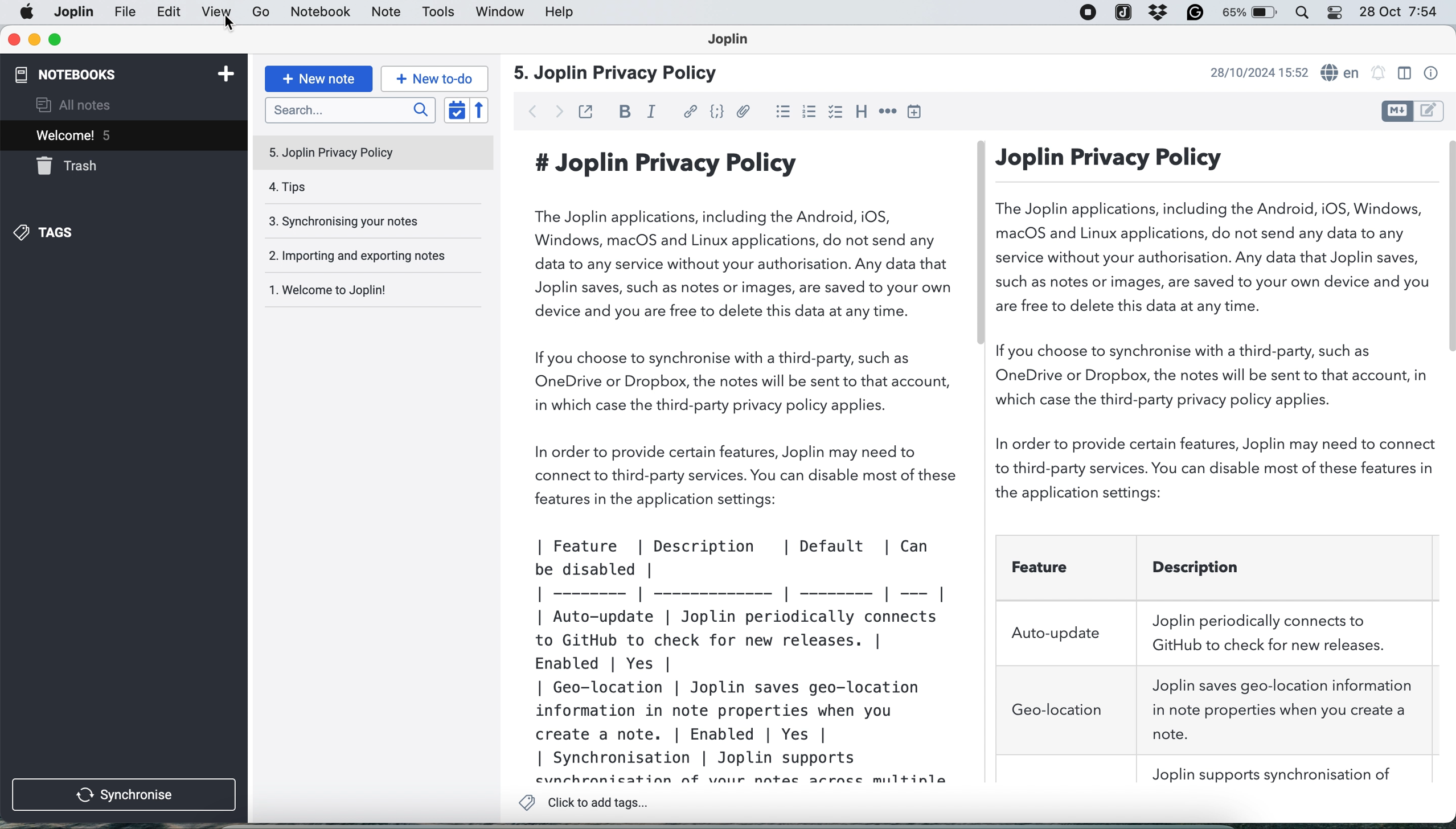  Describe the element at coordinates (716, 112) in the screenshot. I see `get code` at that location.